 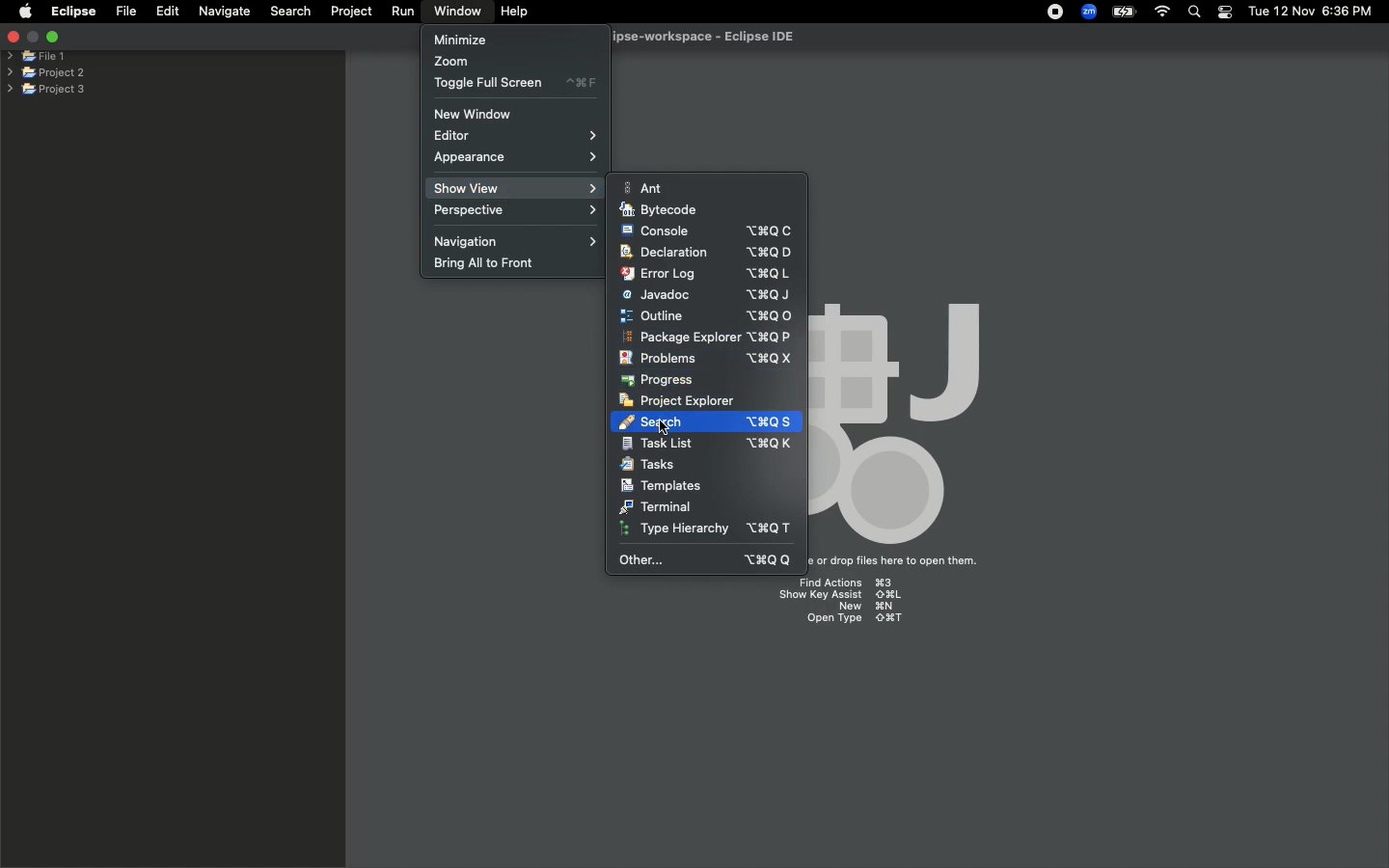 What do you see at coordinates (226, 12) in the screenshot?
I see `Navigate` at bounding box center [226, 12].